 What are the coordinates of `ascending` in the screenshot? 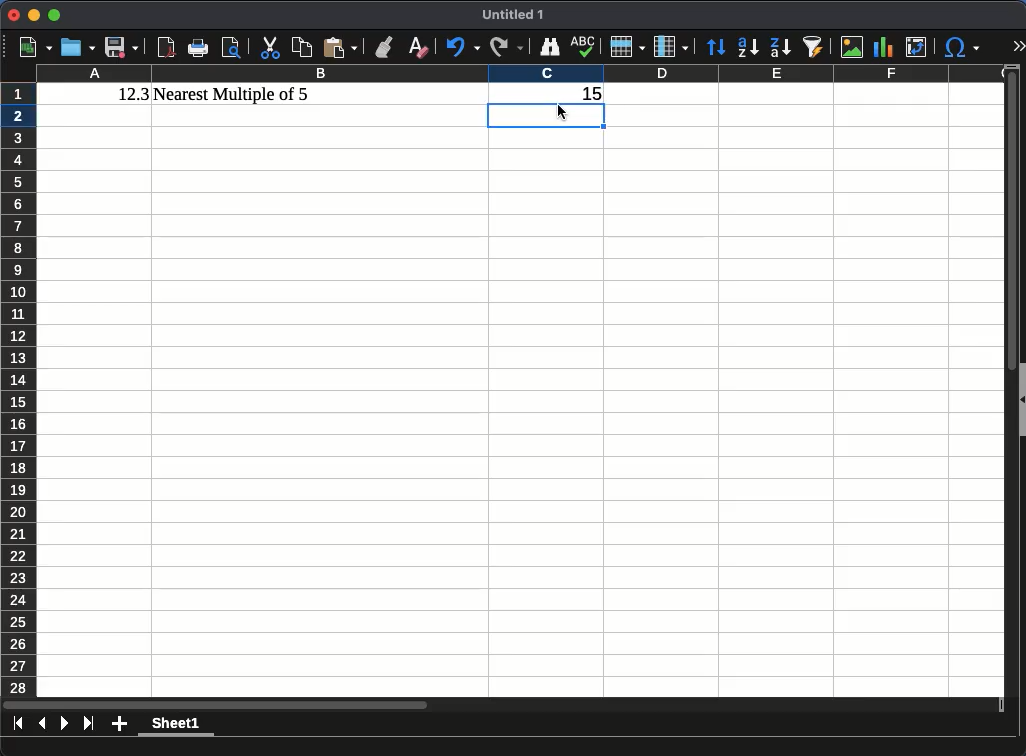 It's located at (748, 48).